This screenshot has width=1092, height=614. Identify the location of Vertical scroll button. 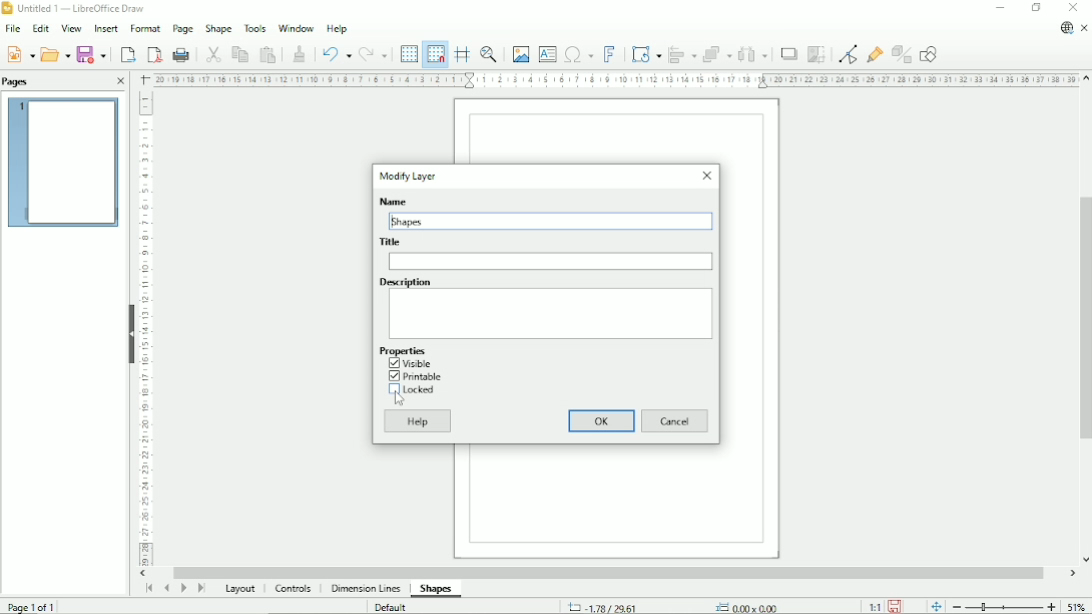
(1084, 559).